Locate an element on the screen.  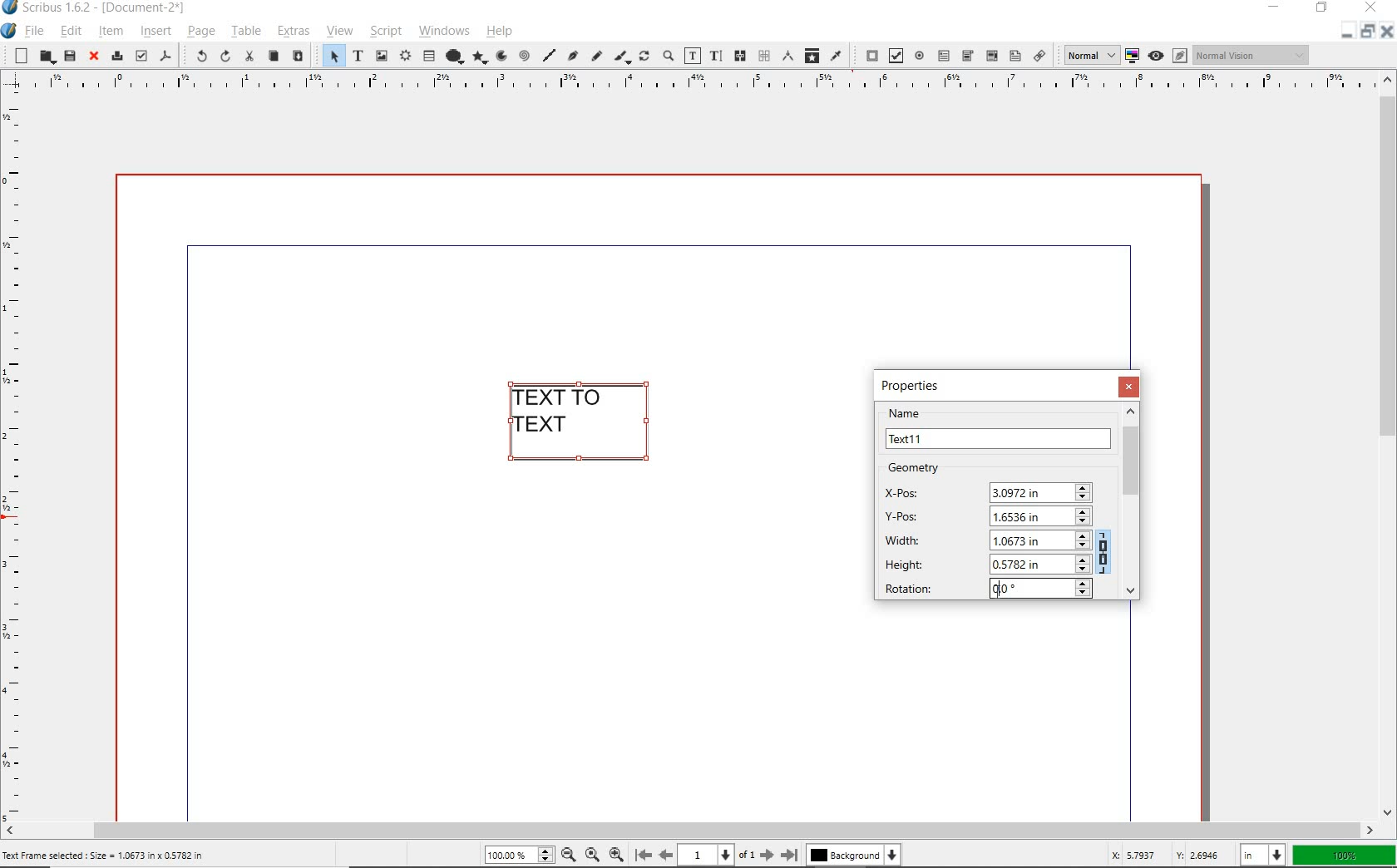
table is located at coordinates (428, 56).